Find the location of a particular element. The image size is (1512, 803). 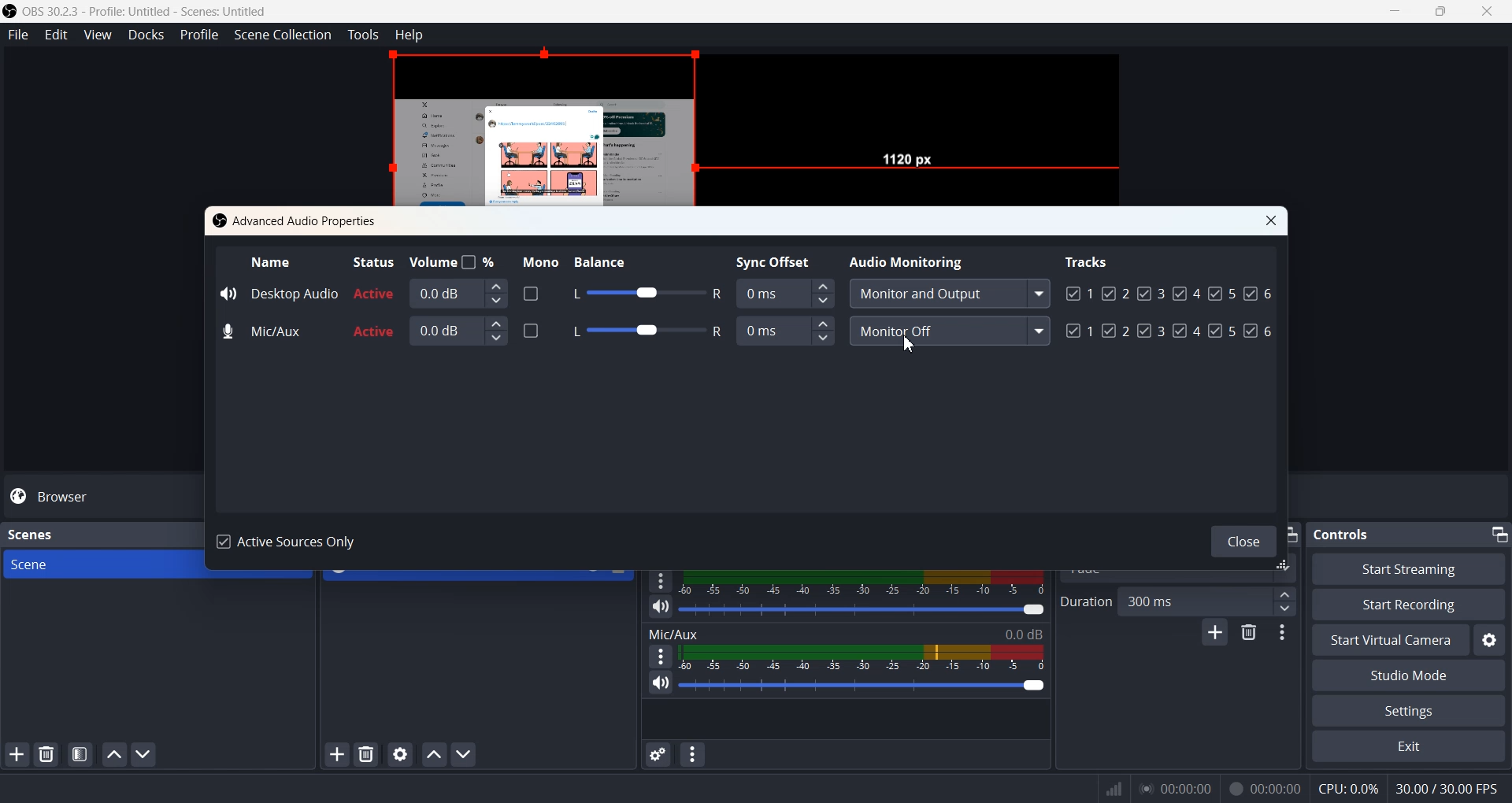

Open scene filter is located at coordinates (80, 756).